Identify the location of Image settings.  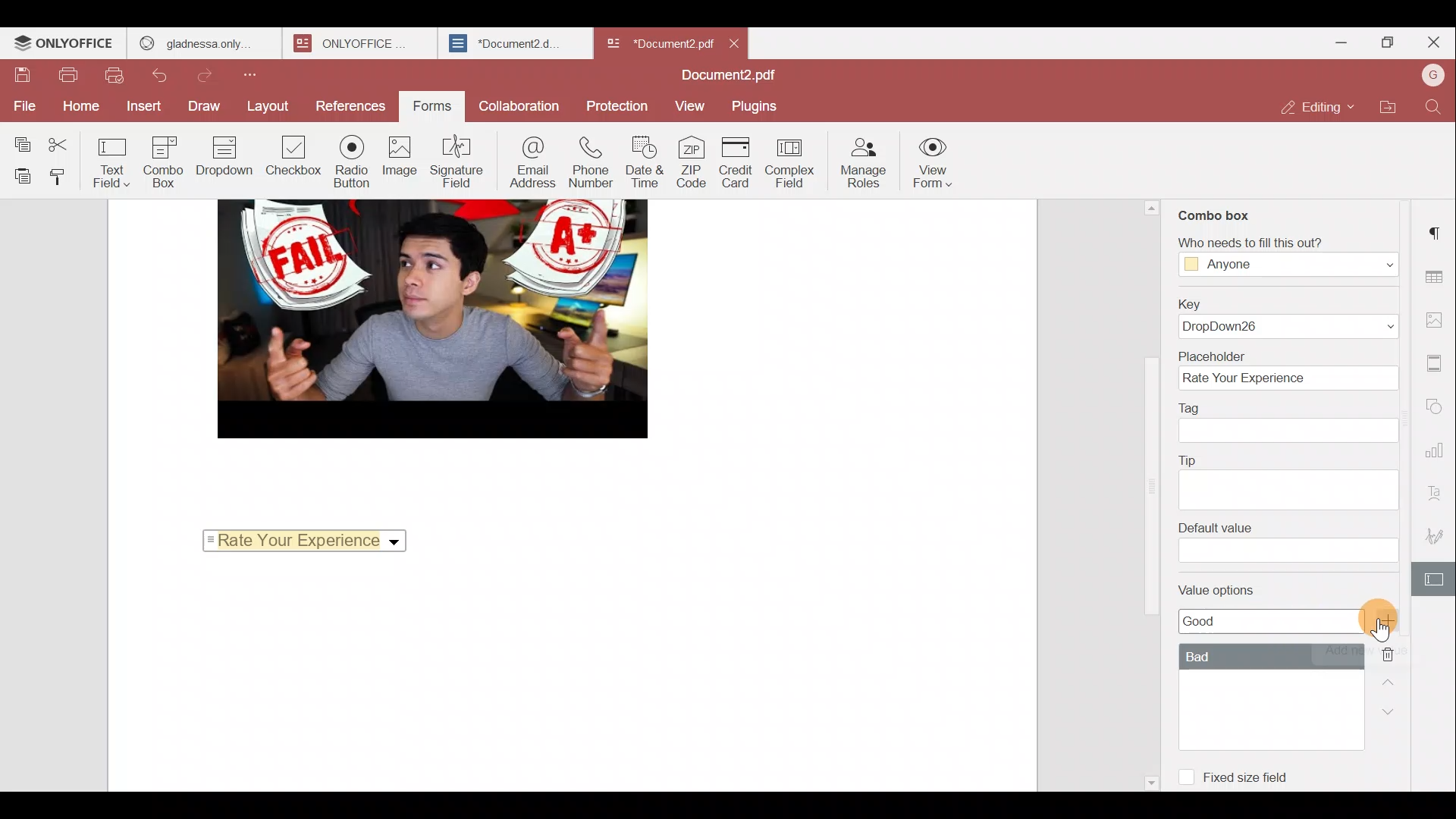
(1437, 321).